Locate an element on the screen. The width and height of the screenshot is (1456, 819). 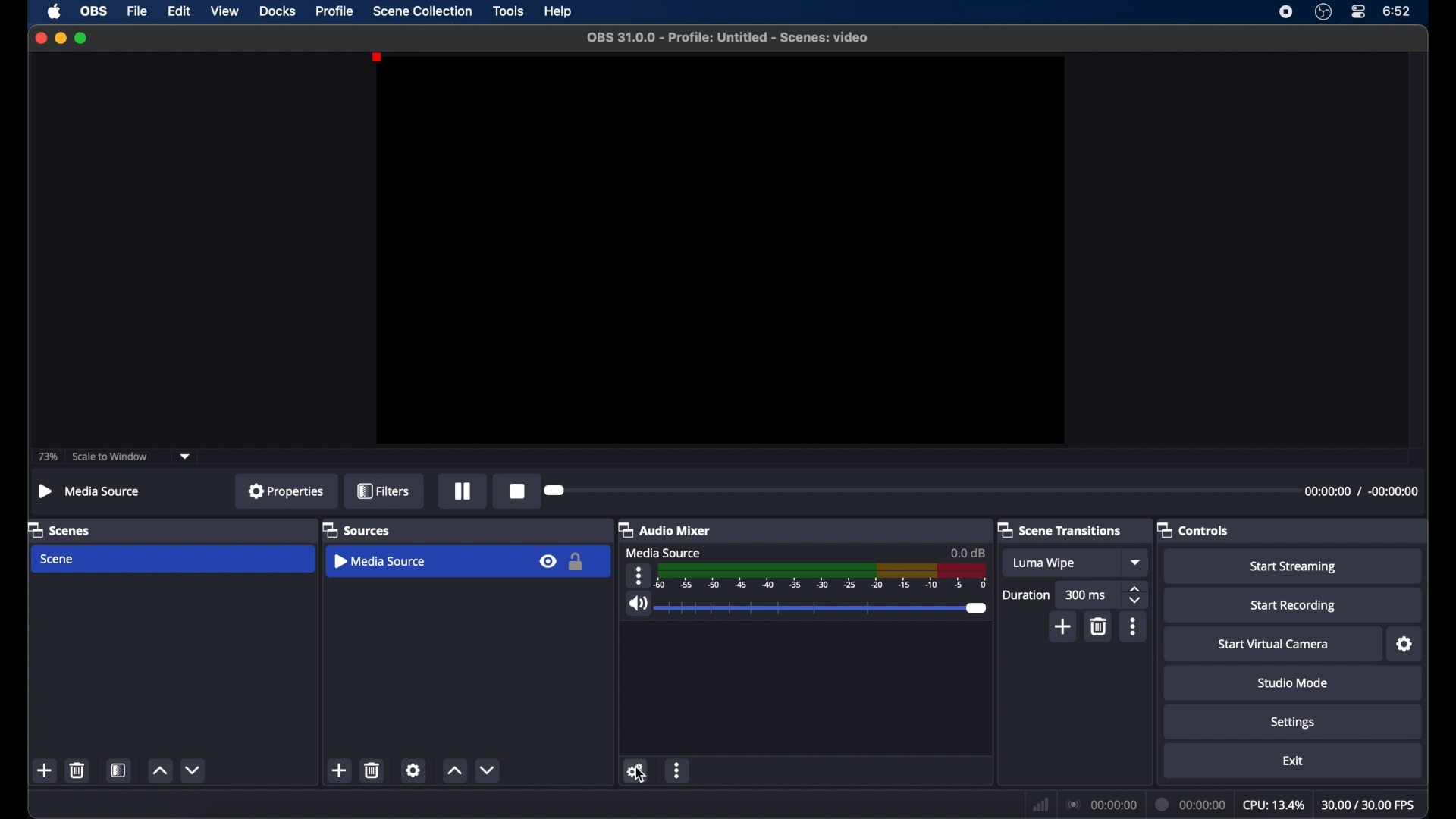
add is located at coordinates (1064, 627).